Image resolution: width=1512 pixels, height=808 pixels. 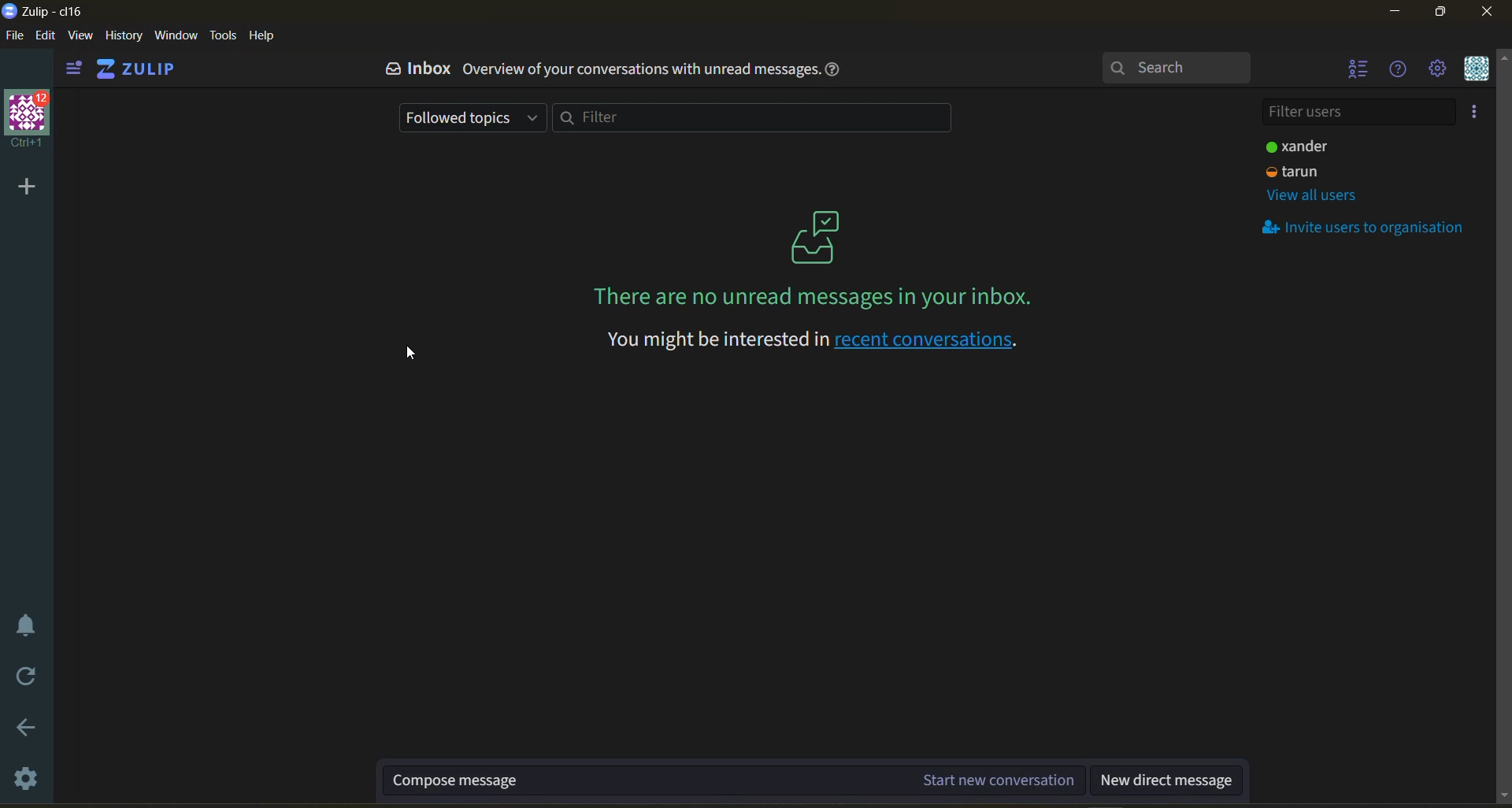 What do you see at coordinates (84, 37) in the screenshot?
I see `view` at bounding box center [84, 37].